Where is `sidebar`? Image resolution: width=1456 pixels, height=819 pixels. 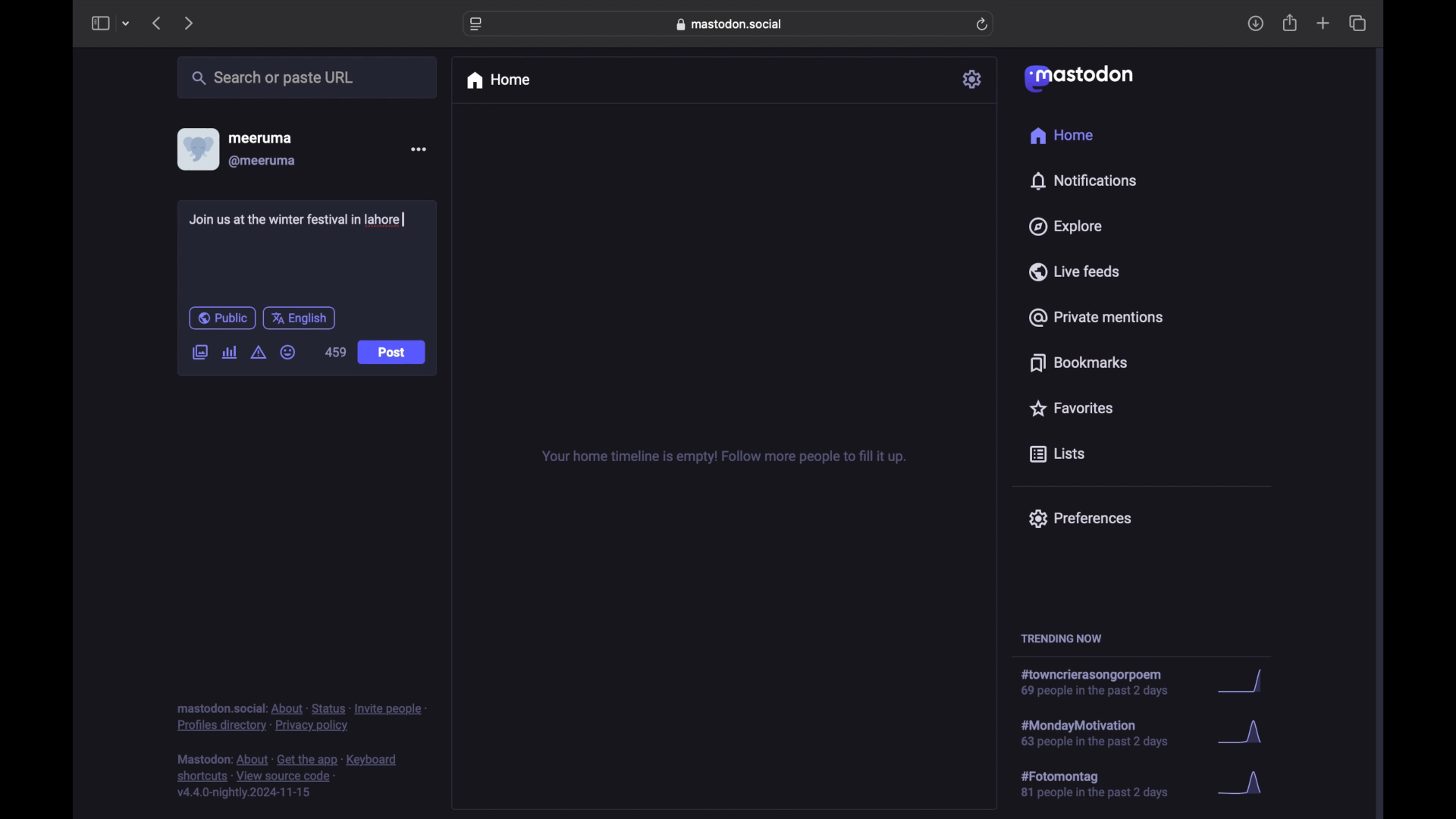
sidebar is located at coordinates (99, 23).